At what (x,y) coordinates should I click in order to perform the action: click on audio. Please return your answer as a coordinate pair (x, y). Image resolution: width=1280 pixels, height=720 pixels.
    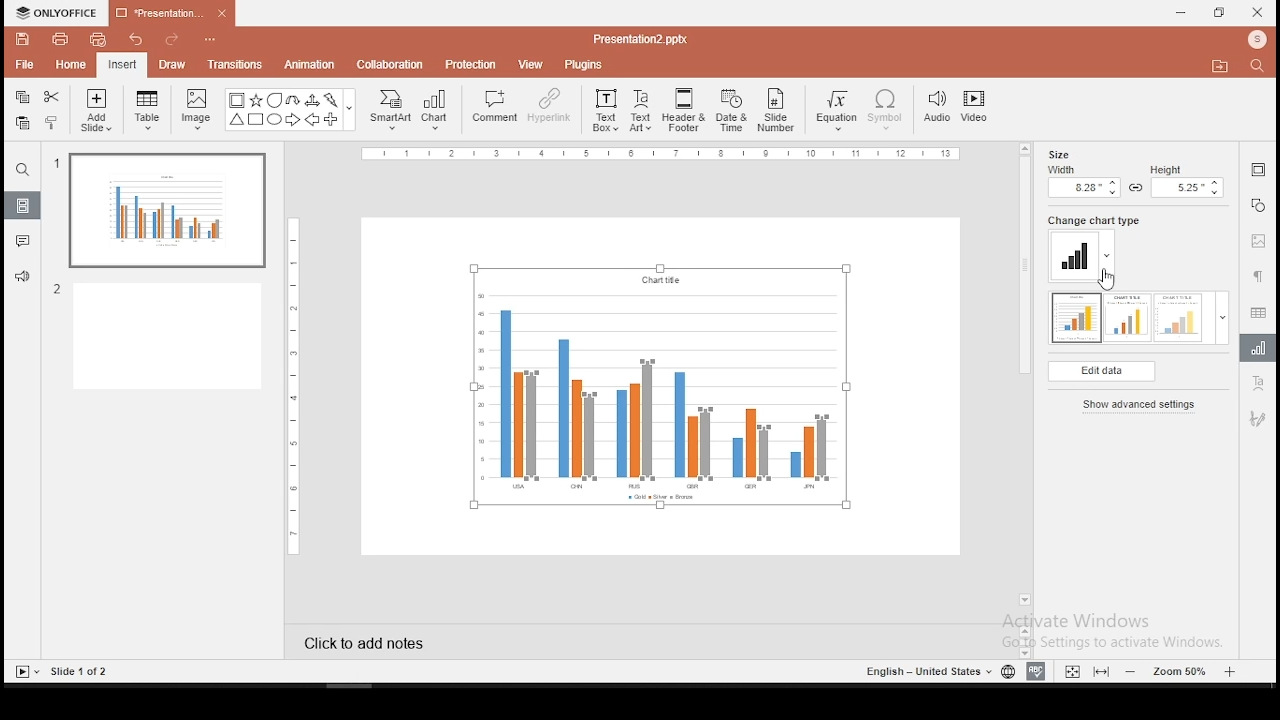
    Looking at the image, I should click on (937, 107).